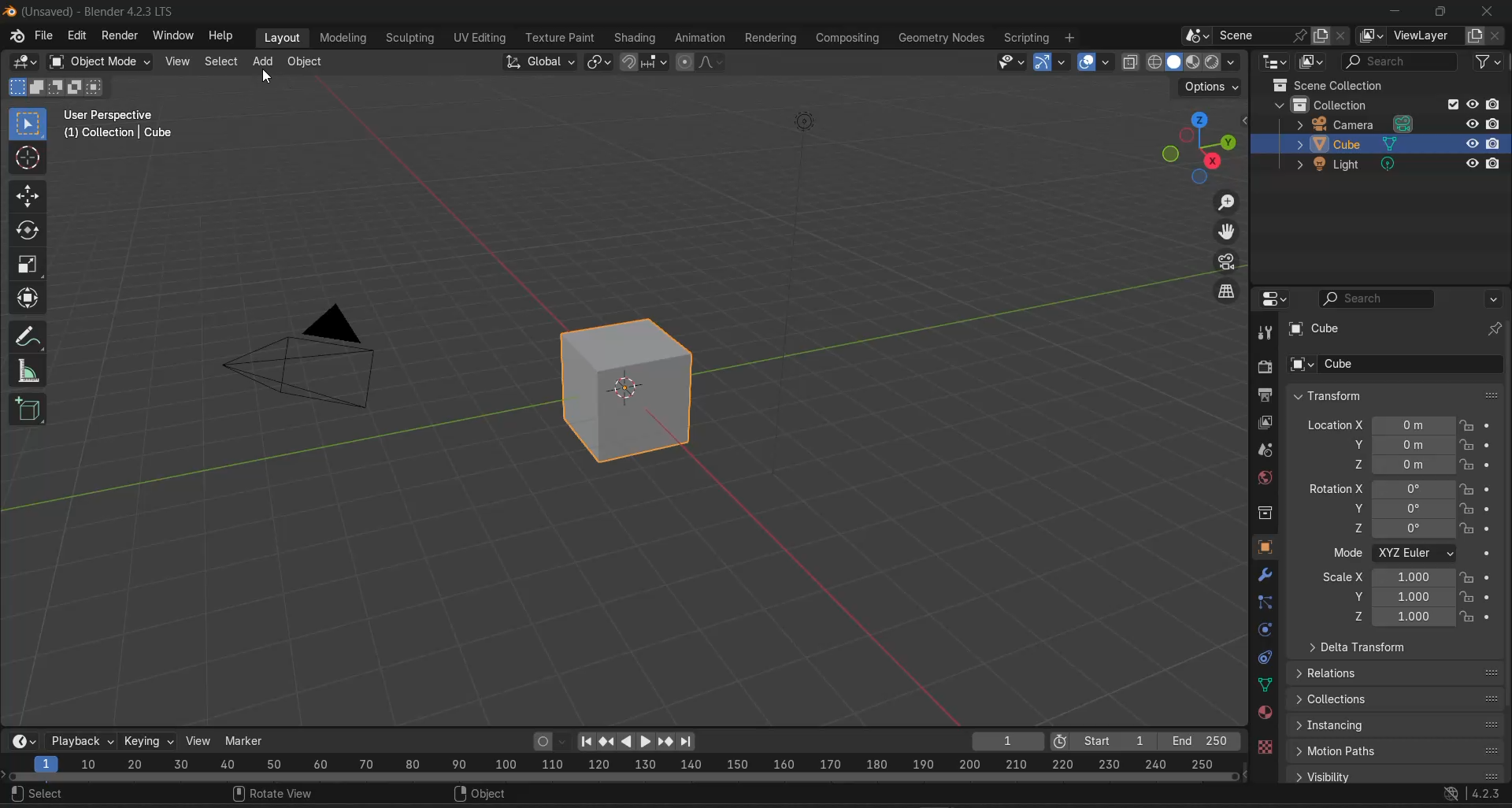 This screenshot has width=1512, height=808. I want to click on shading, so click(1233, 61).